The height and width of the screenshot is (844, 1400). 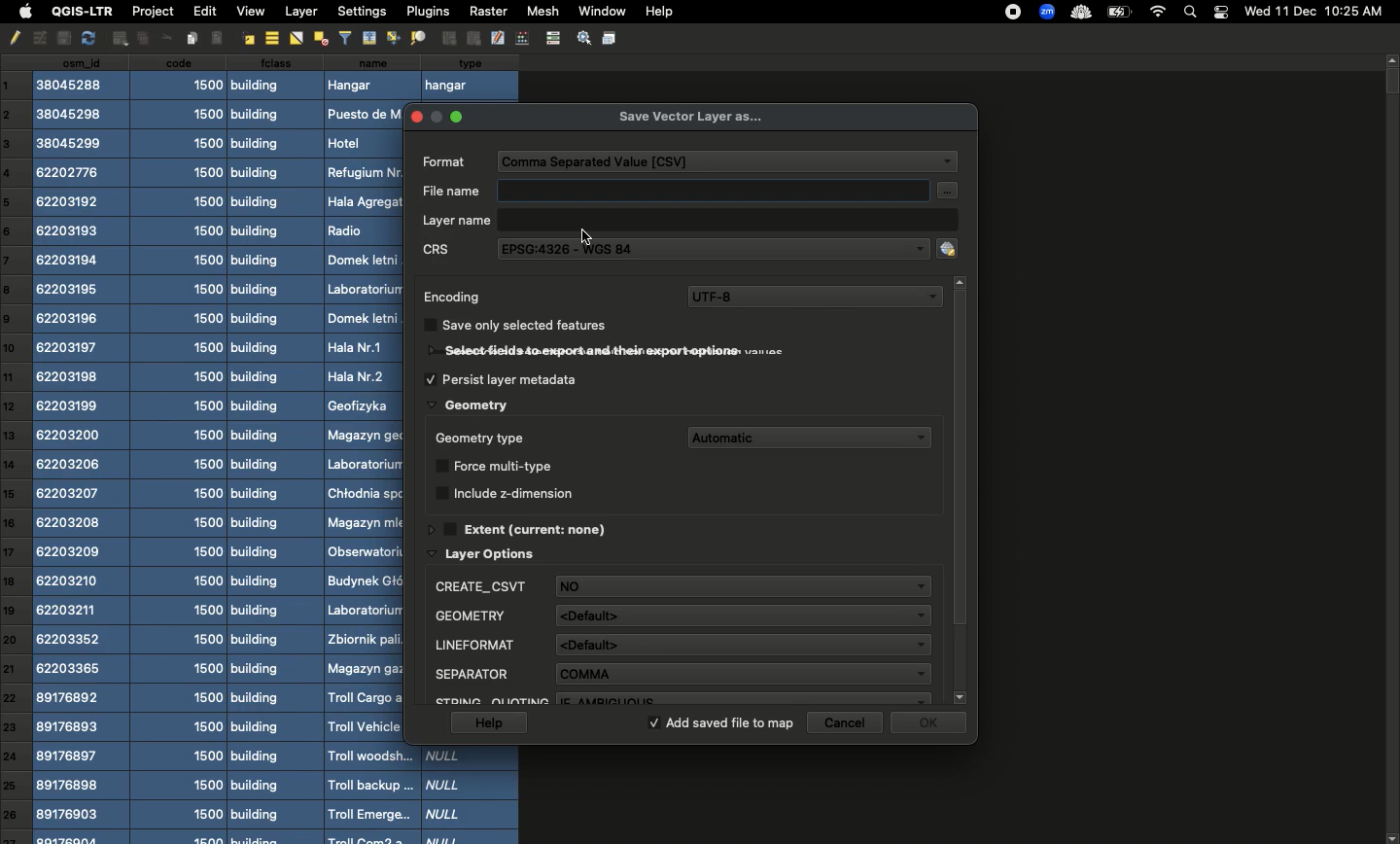 What do you see at coordinates (680, 583) in the screenshot?
I see `Description` at bounding box center [680, 583].